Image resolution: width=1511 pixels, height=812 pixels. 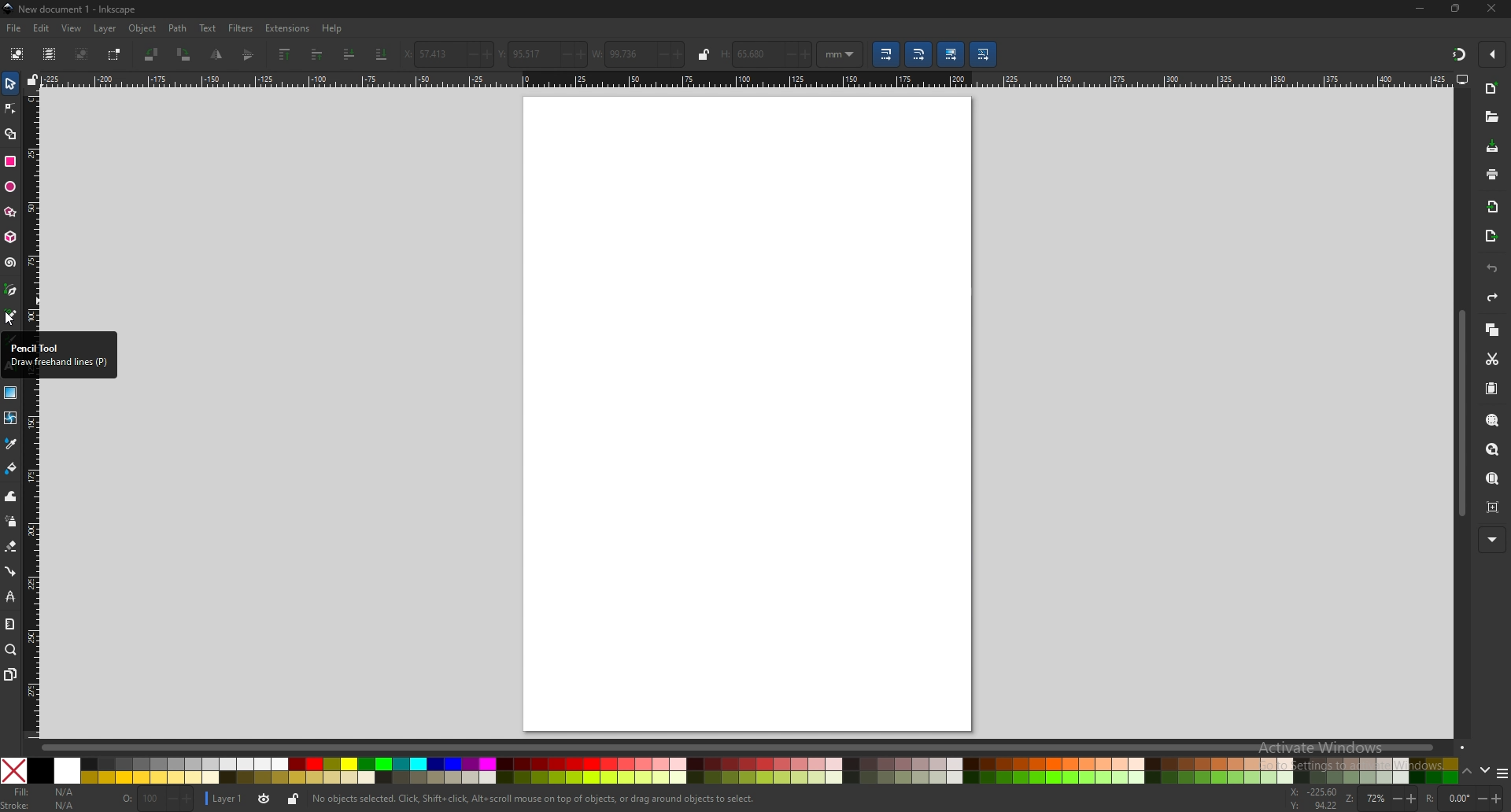 I want to click on Cursor, so click(x=9, y=319).